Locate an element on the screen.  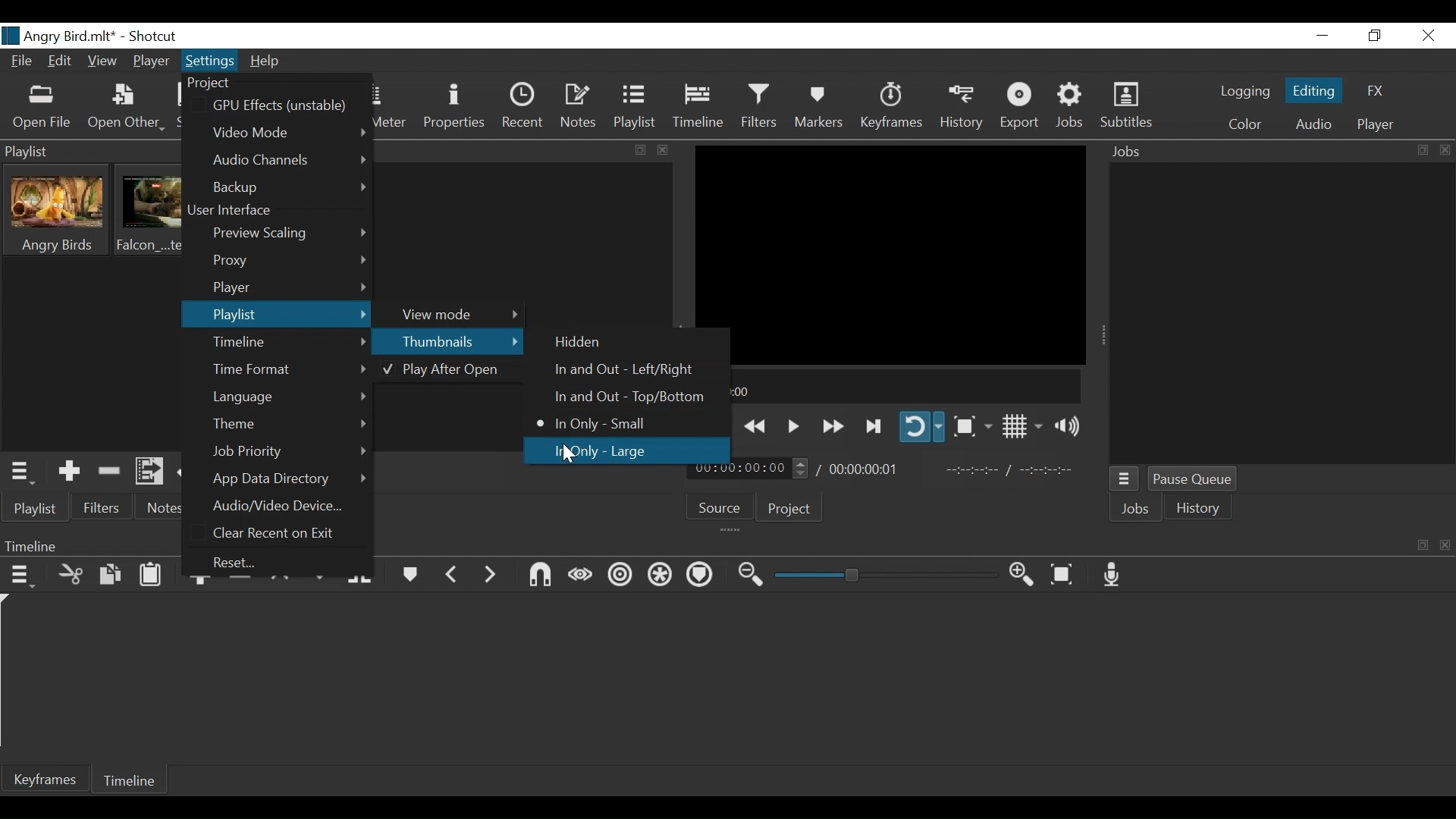
Play forward quickly is located at coordinates (833, 427).